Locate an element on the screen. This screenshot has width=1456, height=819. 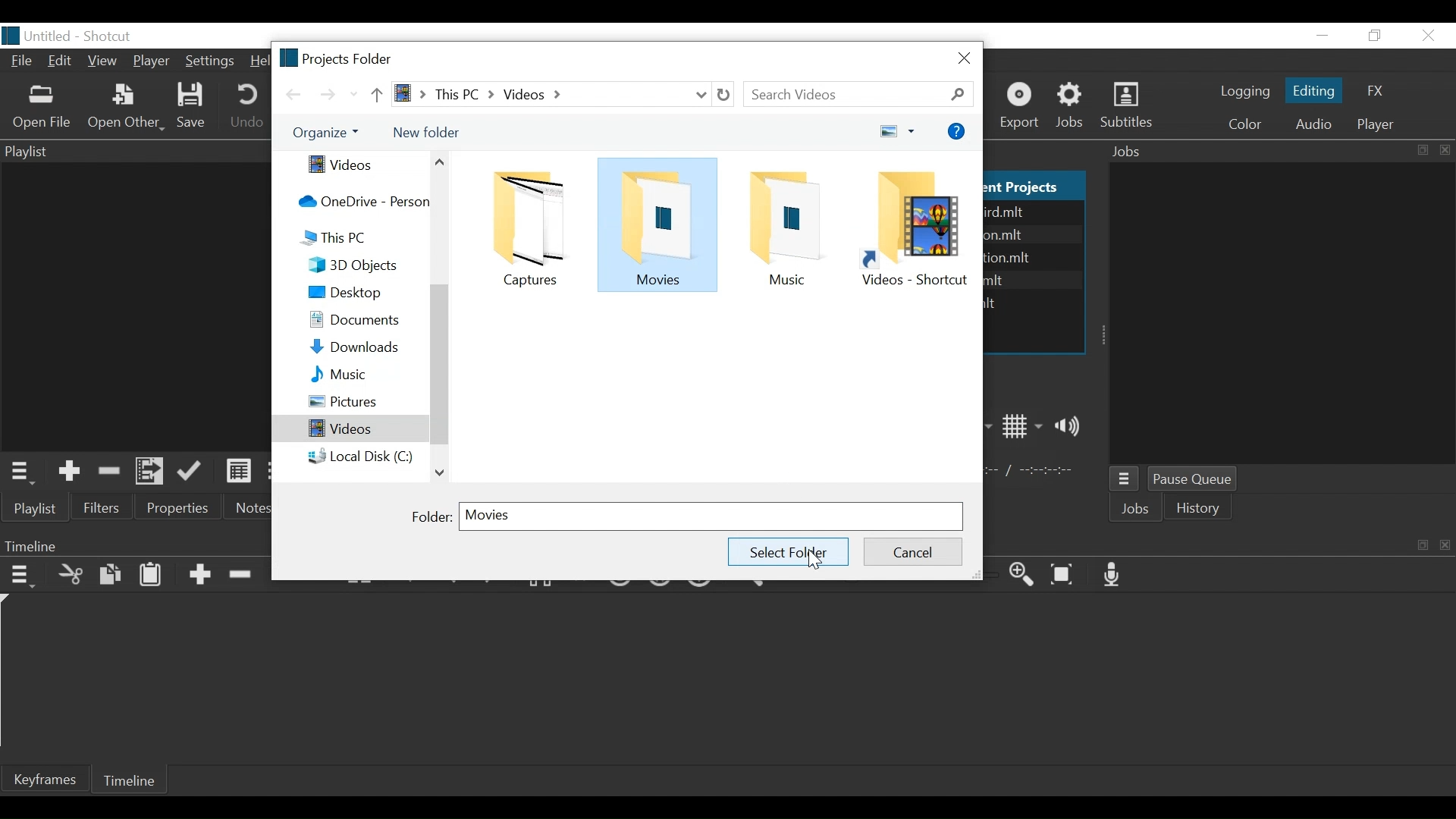
Cursor is located at coordinates (817, 559).